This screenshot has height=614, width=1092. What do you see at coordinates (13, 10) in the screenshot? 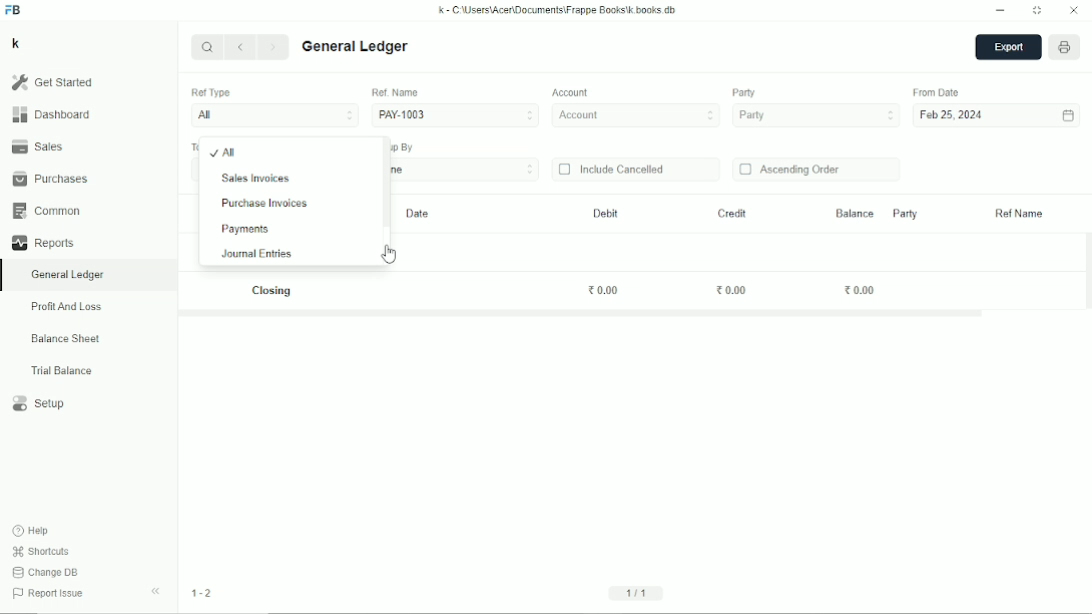
I see `FB` at bounding box center [13, 10].